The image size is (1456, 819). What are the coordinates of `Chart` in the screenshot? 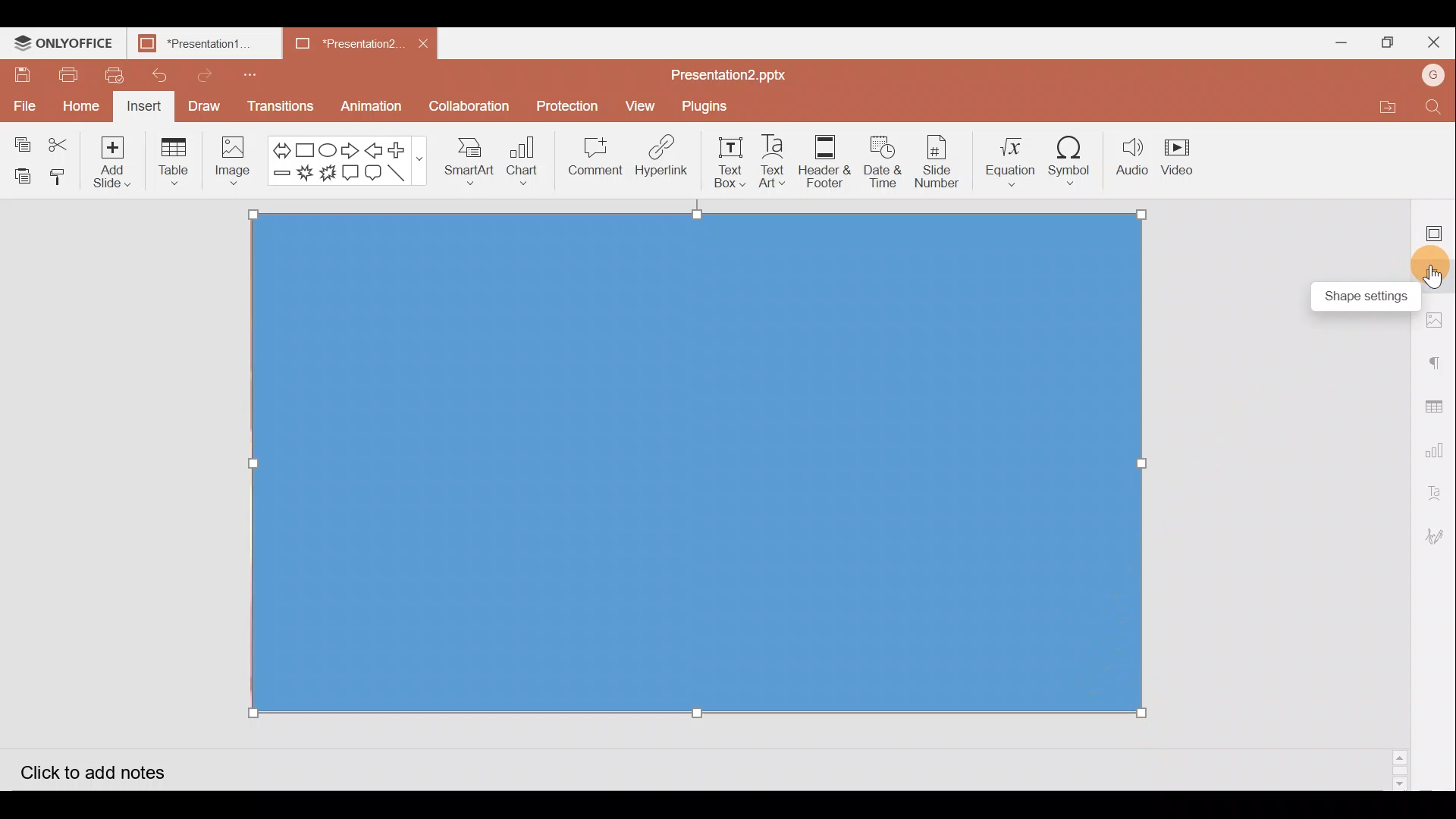 It's located at (520, 164).